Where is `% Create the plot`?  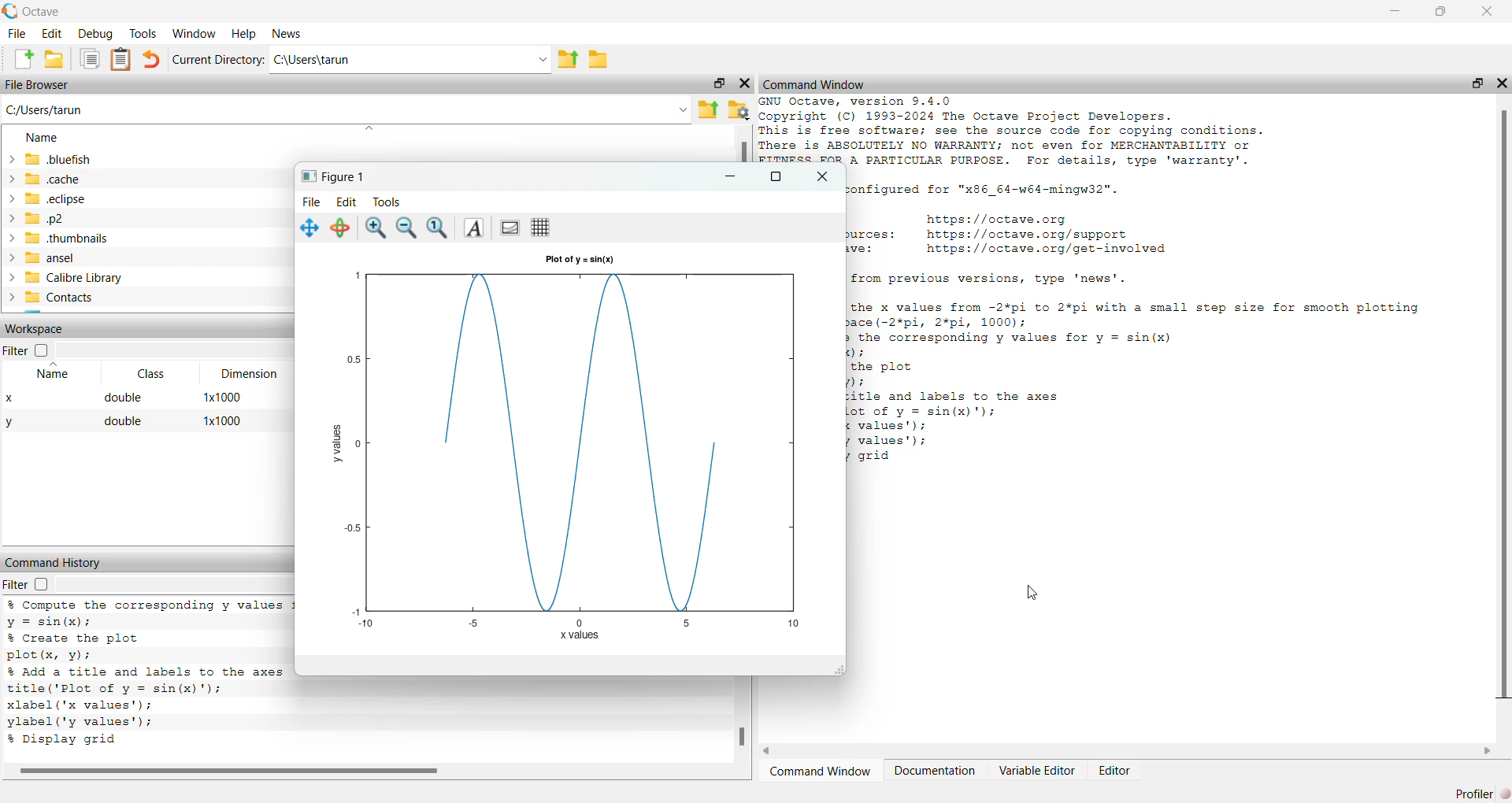 % Create the plot is located at coordinates (73, 639).